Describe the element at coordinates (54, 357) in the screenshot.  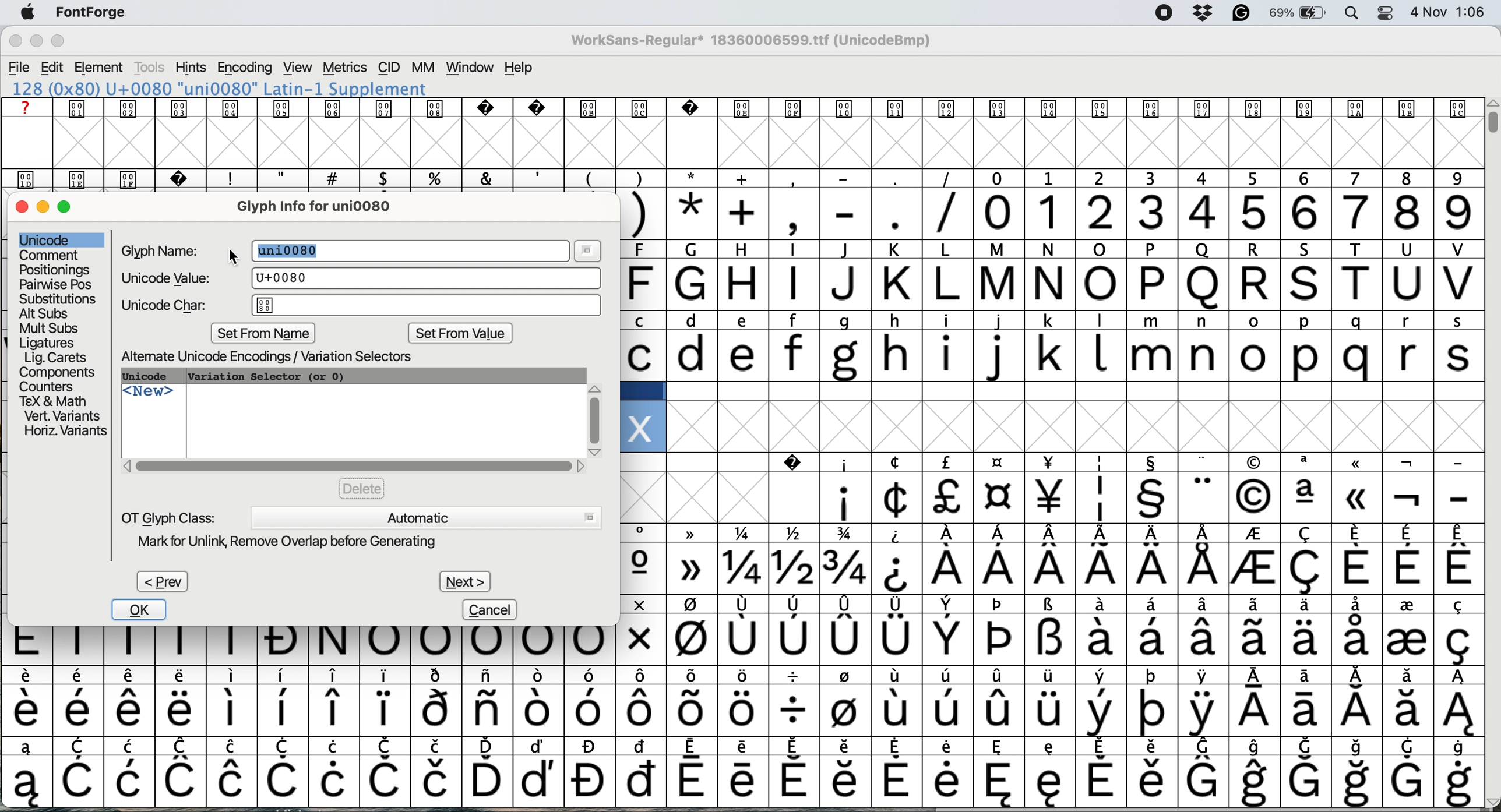
I see `lig carets` at that location.